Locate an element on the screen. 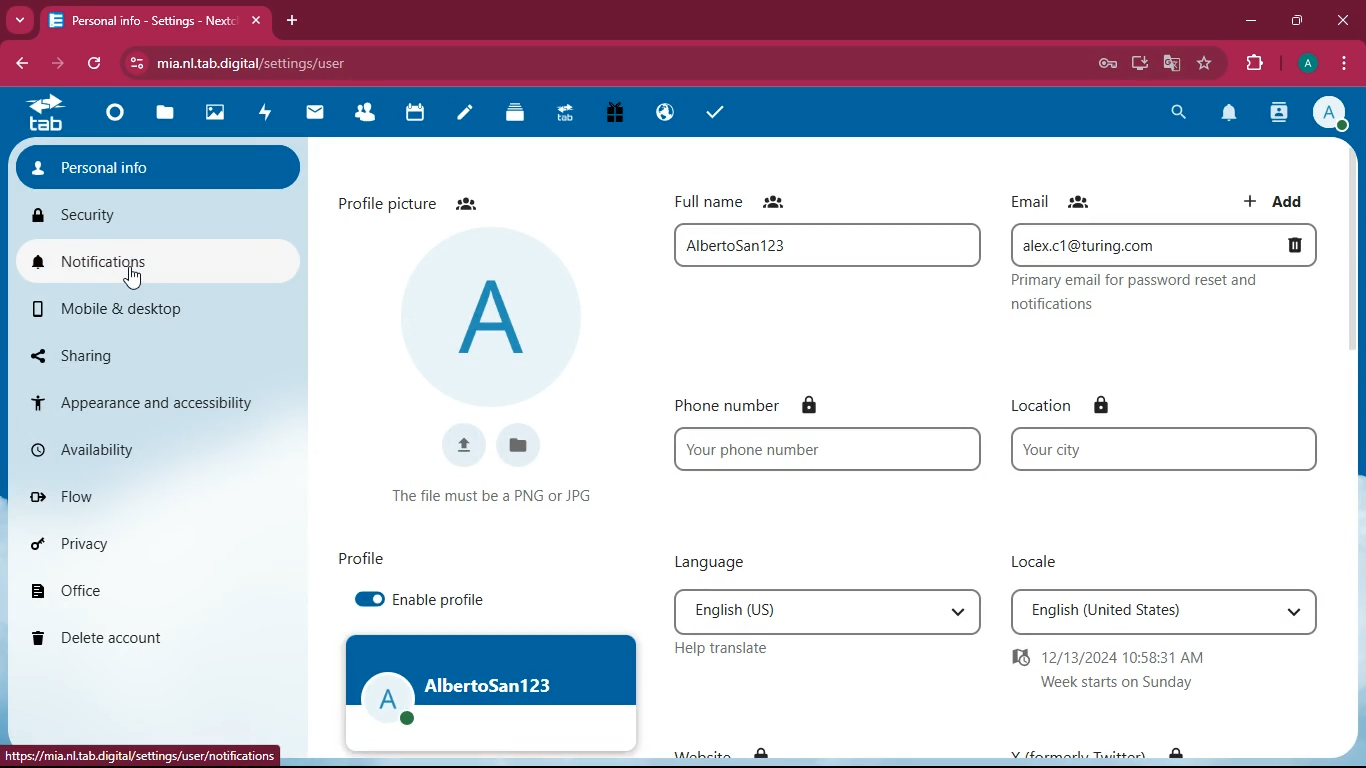 Image resolution: width=1366 pixels, height=768 pixels. add is located at coordinates (1276, 201).